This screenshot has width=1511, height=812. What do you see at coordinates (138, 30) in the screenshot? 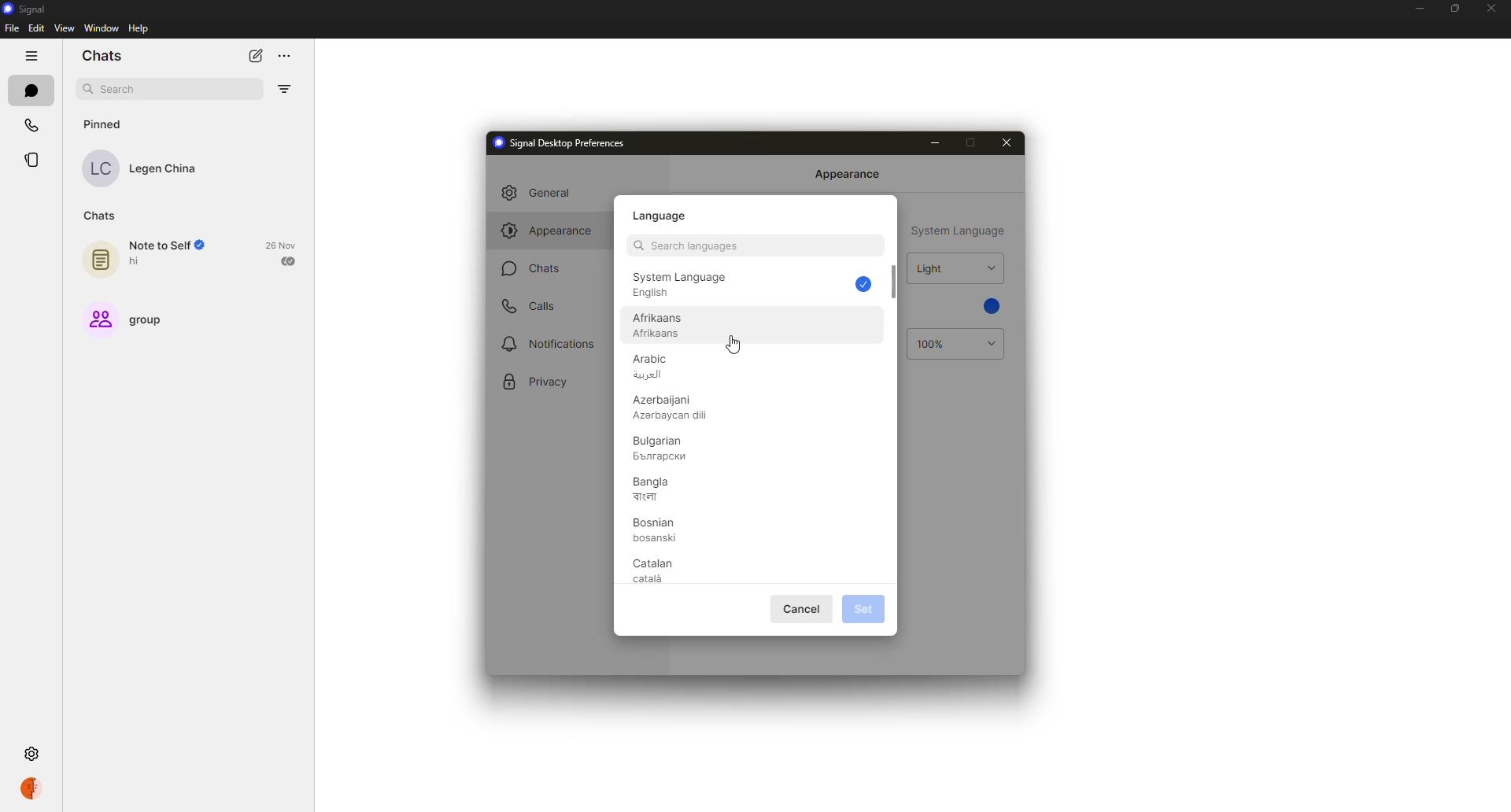
I see `help` at bounding box center [138, 30].